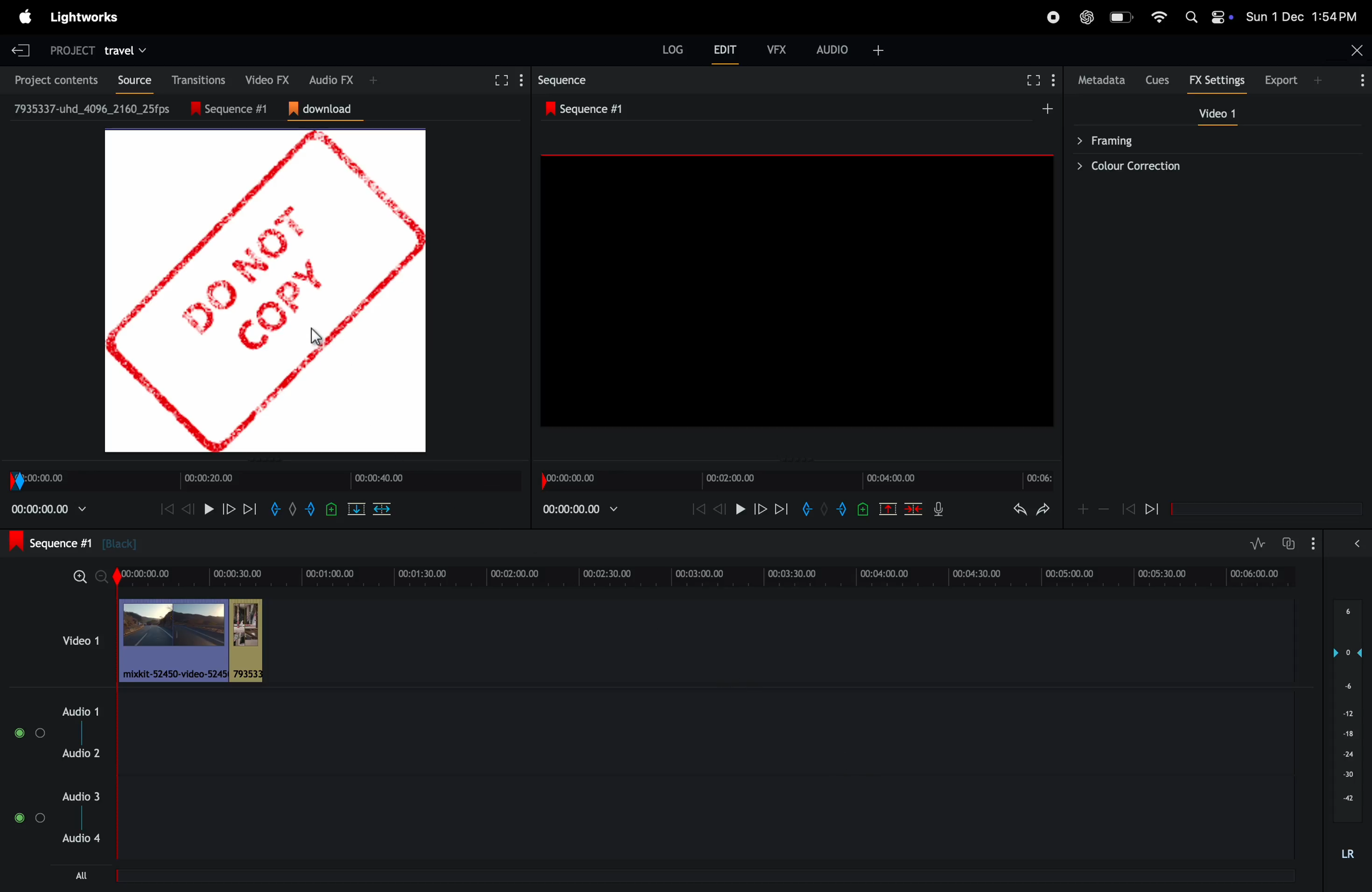 The height and width of the screenshot is (892, 1372). I want to click on redo, so click(1043, 509).